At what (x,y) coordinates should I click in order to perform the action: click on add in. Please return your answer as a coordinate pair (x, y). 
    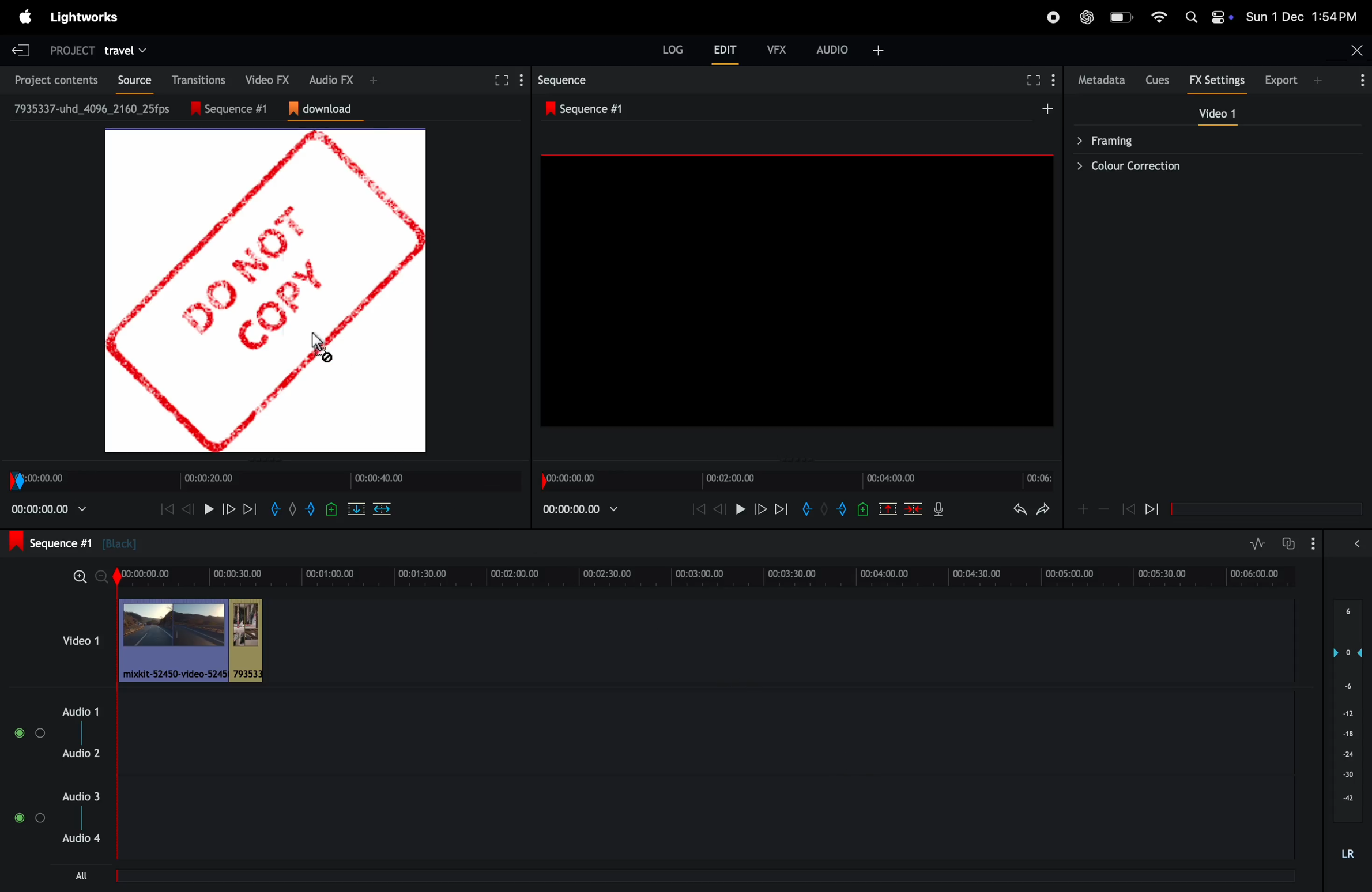
    Looking at the image, I should click on (805, 508).